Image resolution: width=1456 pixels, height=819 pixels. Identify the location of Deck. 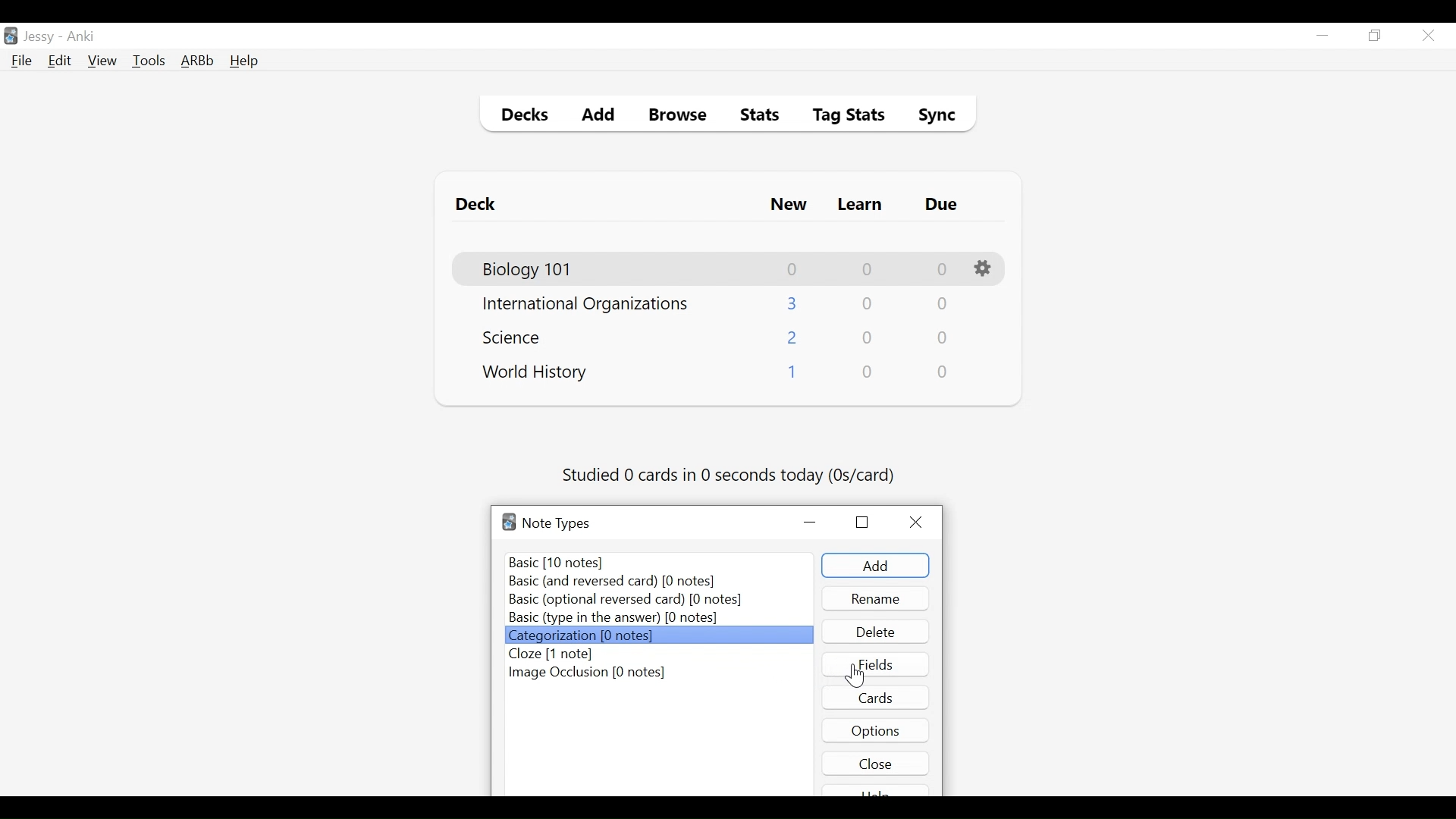
(479, 205).